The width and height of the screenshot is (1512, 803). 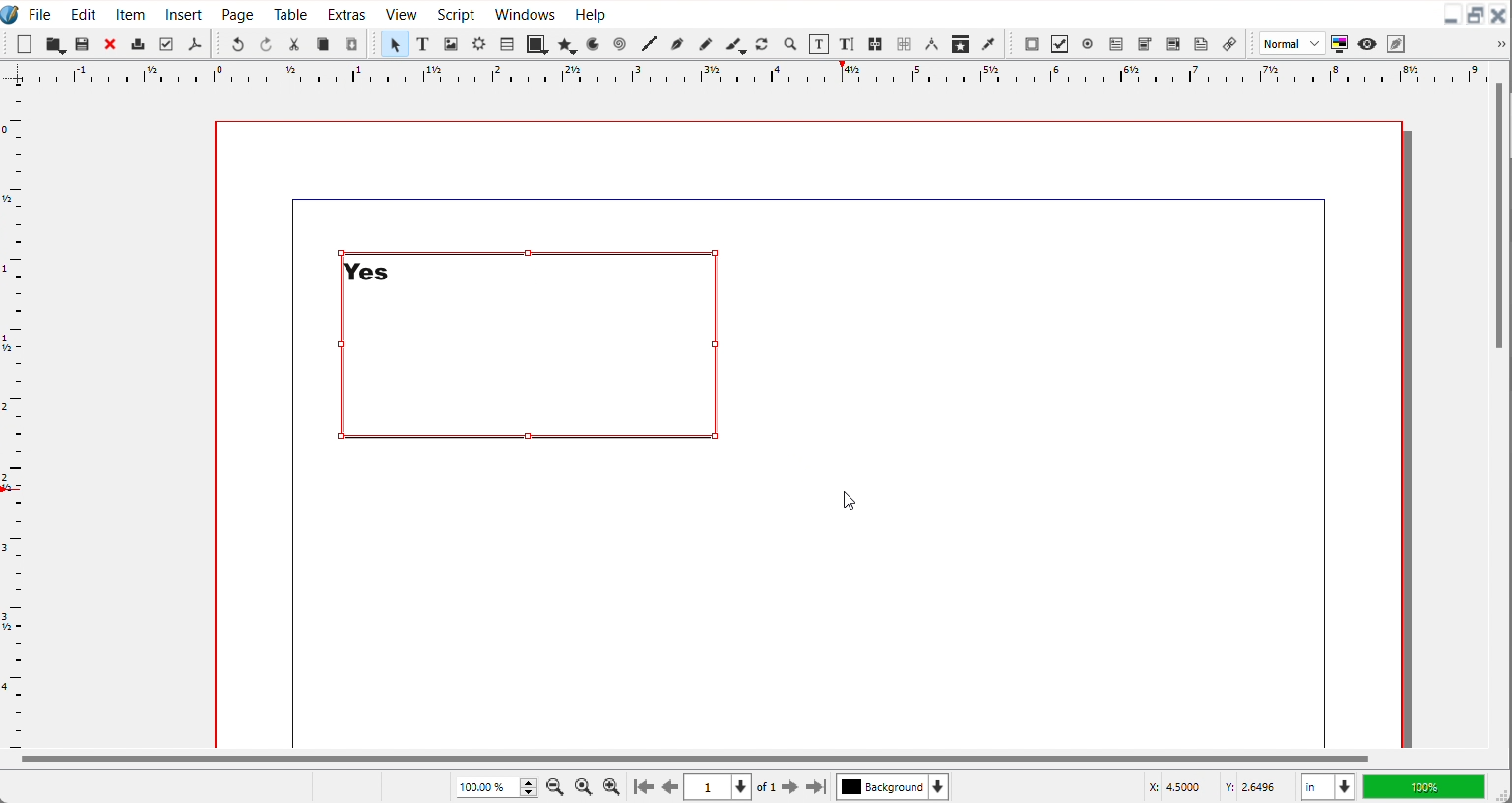 I want to click on 100%, so click(x=1423, y=786).